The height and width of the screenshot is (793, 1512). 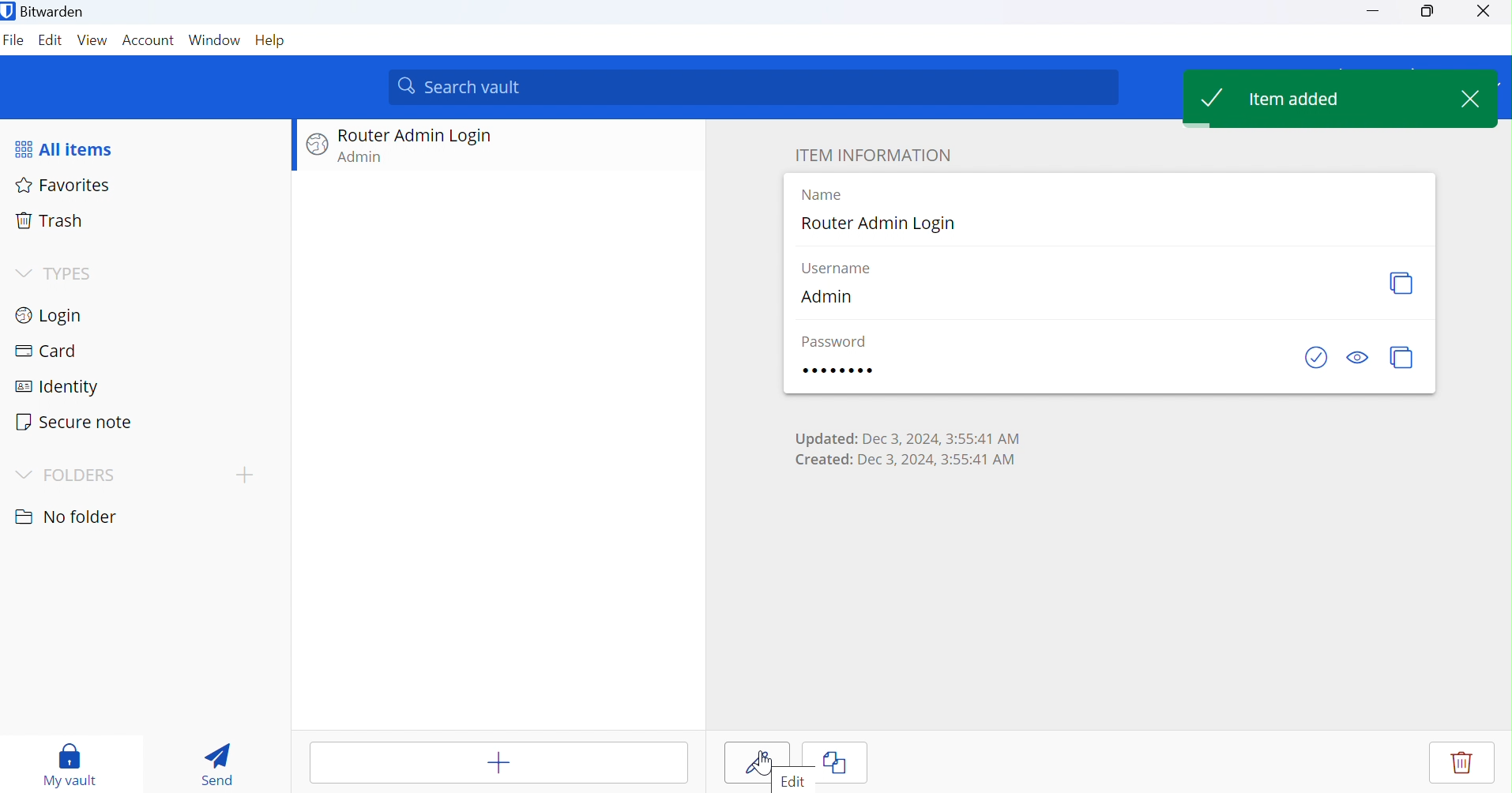 I want to click on search vault, so click(x=753, y=86).